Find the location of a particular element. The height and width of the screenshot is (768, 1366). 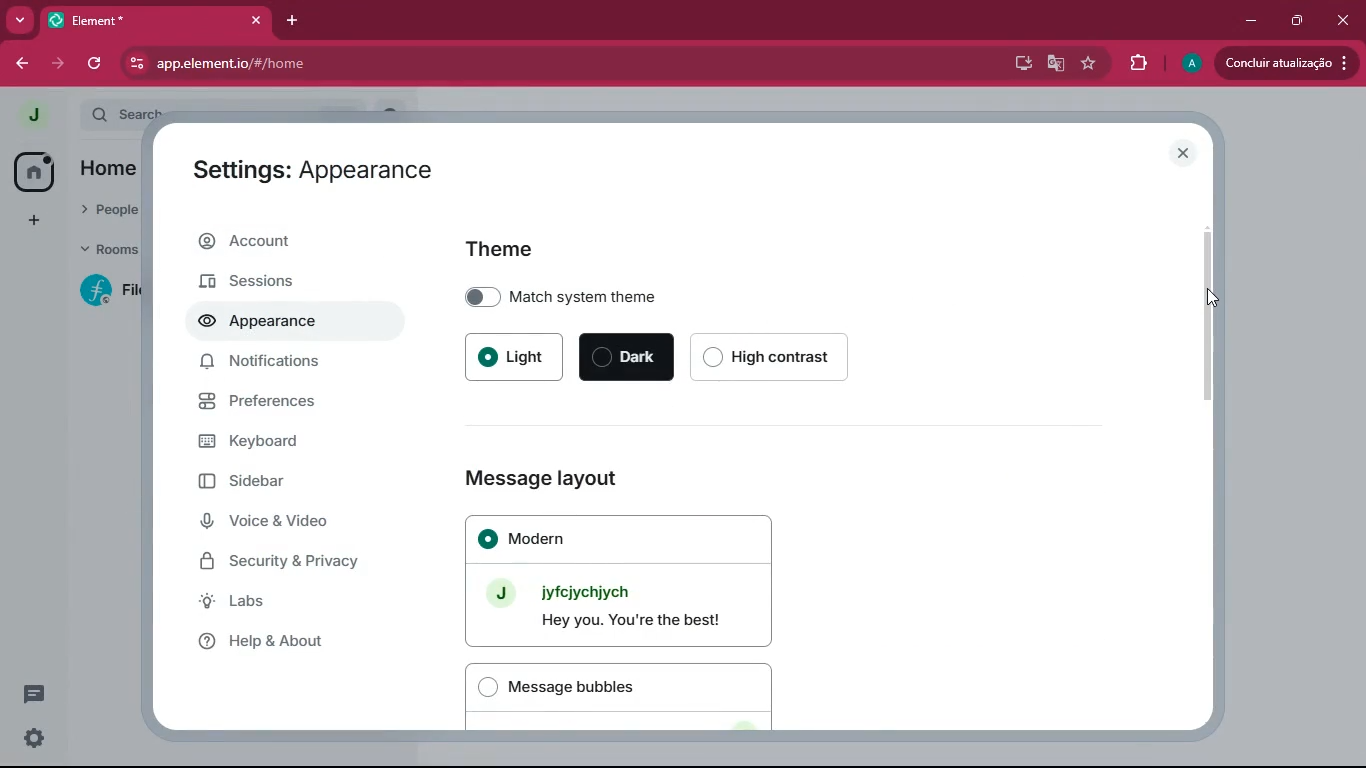

security & privacy is located at coordinates (295, 561).